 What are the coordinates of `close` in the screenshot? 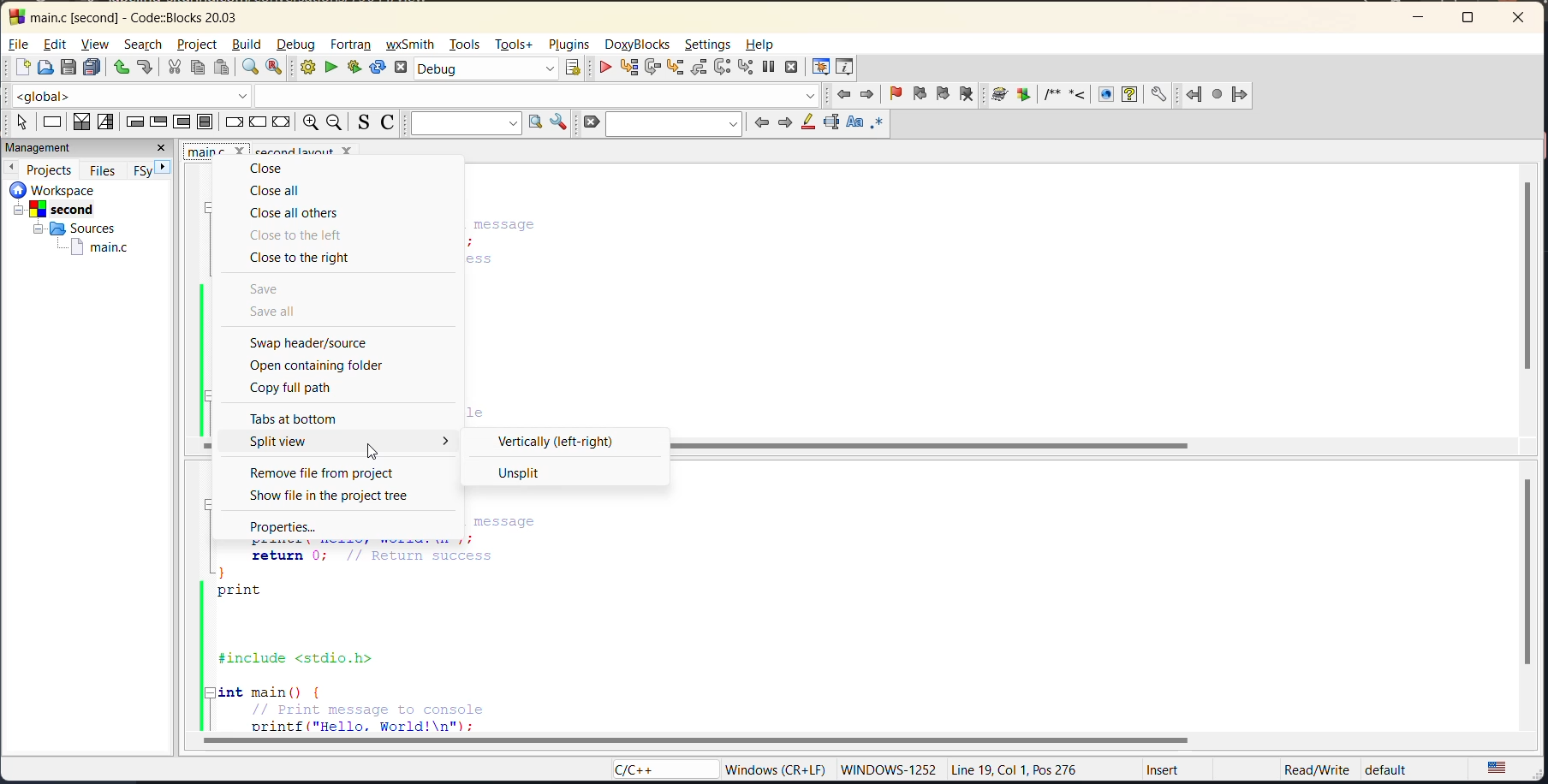 It's located at (267, 168).